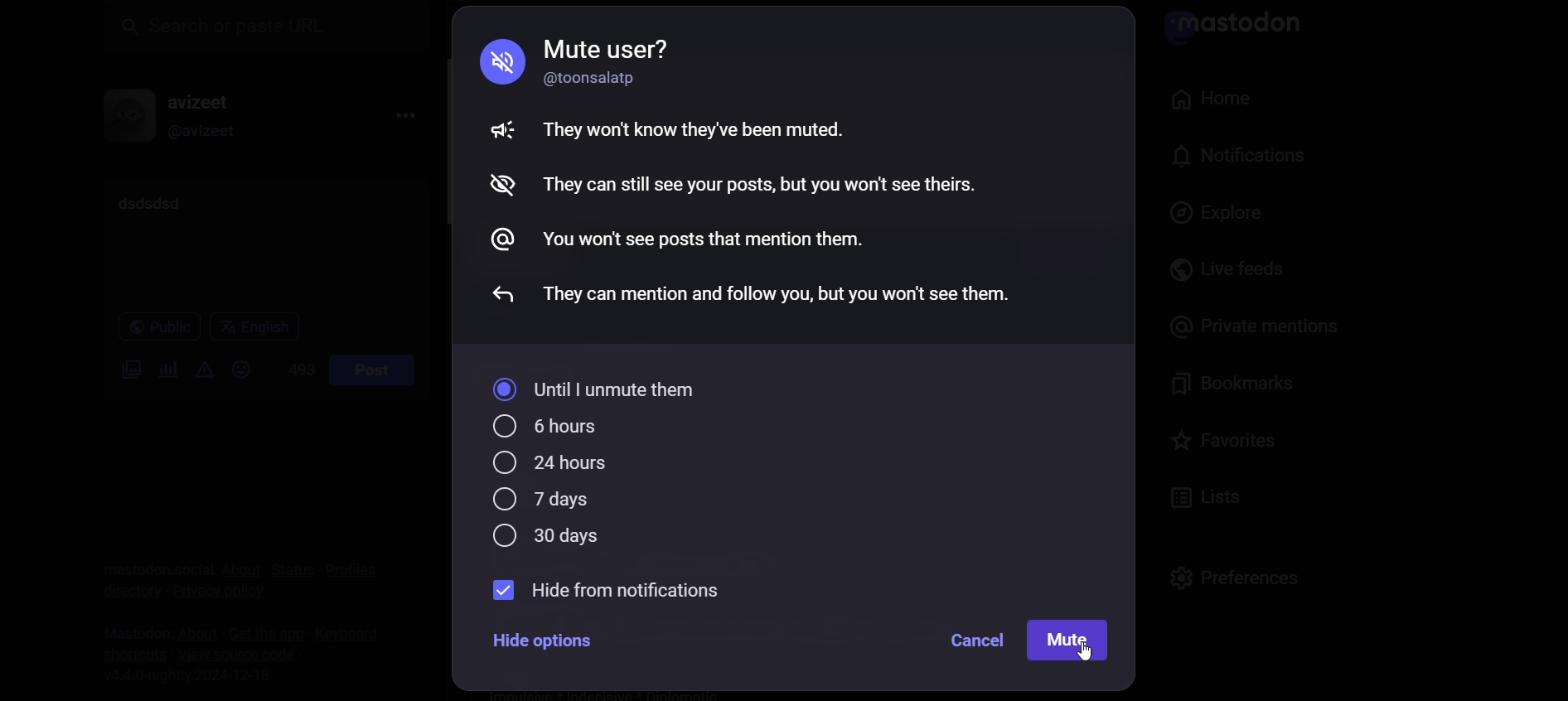 Image resolution: width=1568 pixels, height=701 pixels. Describe the element at coordinates (1217, 217) in the screenshot. I see `explore ` at that location.